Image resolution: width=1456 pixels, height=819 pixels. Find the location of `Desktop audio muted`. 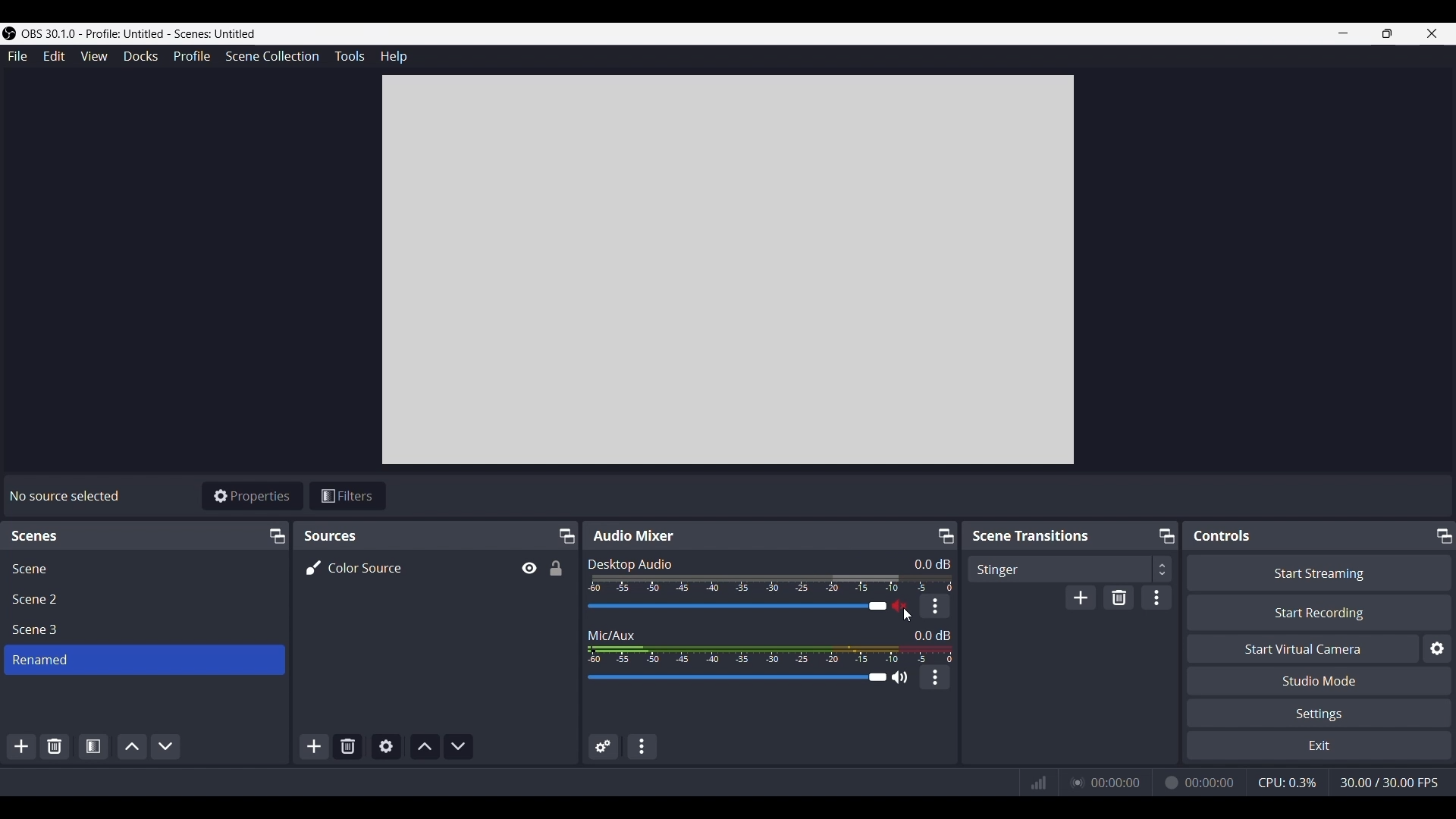

Desktop audio muted is located at coordinates (899, 605).